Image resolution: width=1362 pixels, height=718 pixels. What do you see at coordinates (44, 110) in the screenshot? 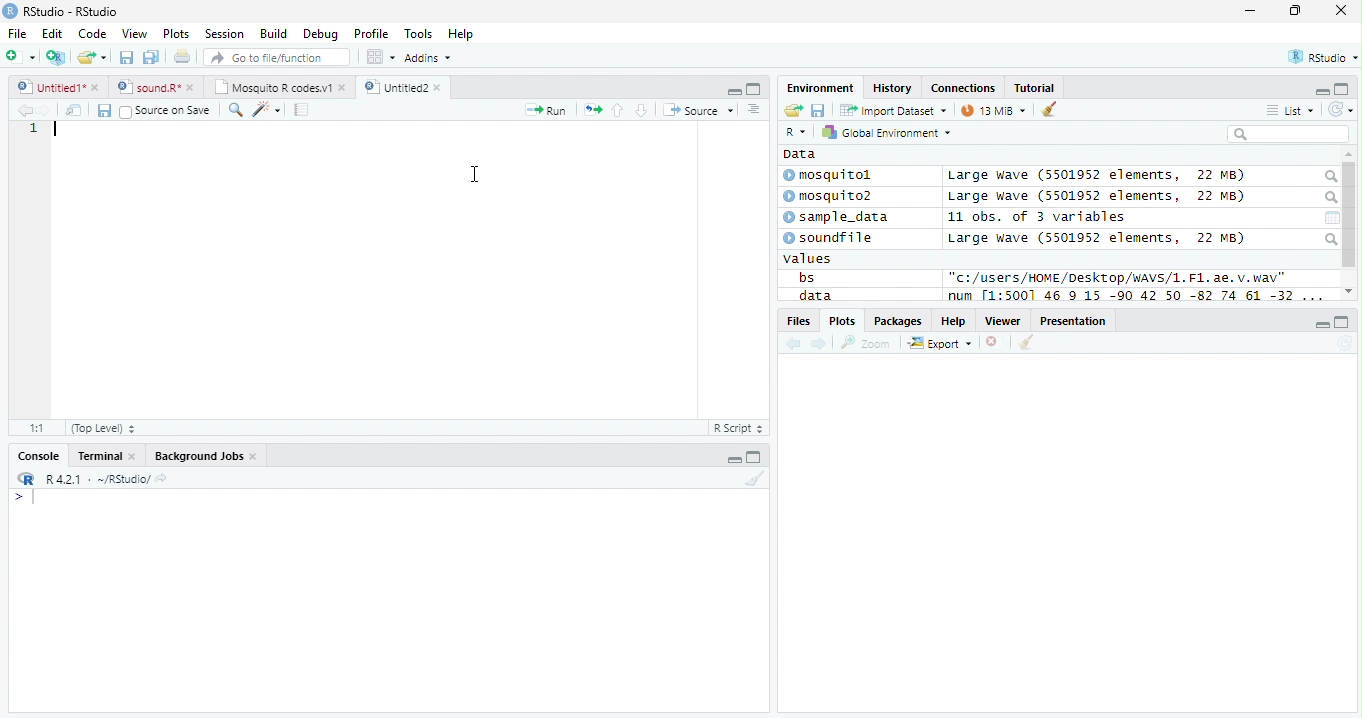
I see `Go forward` at bounding box center [44, 110].